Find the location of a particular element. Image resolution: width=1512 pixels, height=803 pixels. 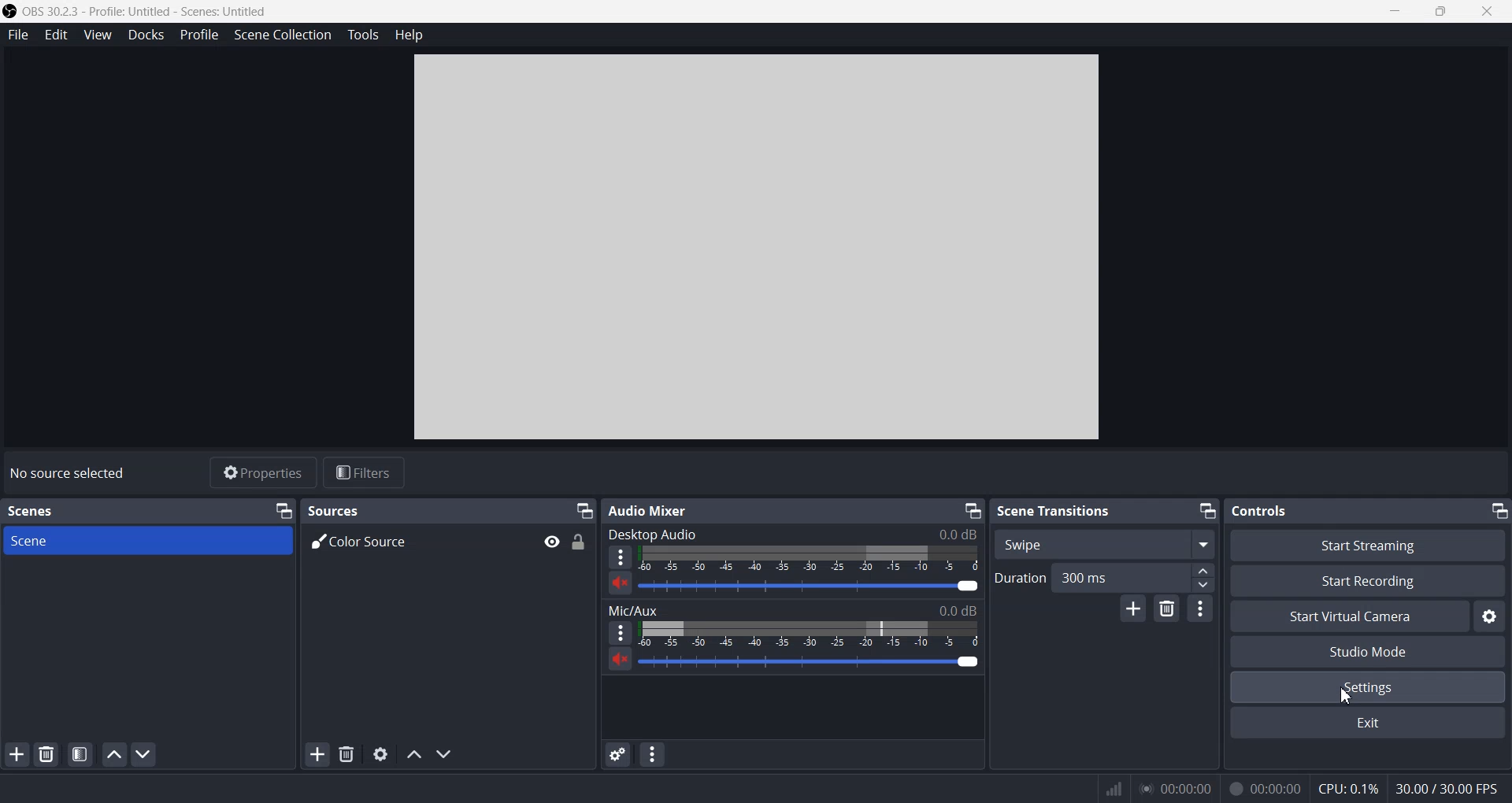

Color Source is located at coordinates (412, 542).